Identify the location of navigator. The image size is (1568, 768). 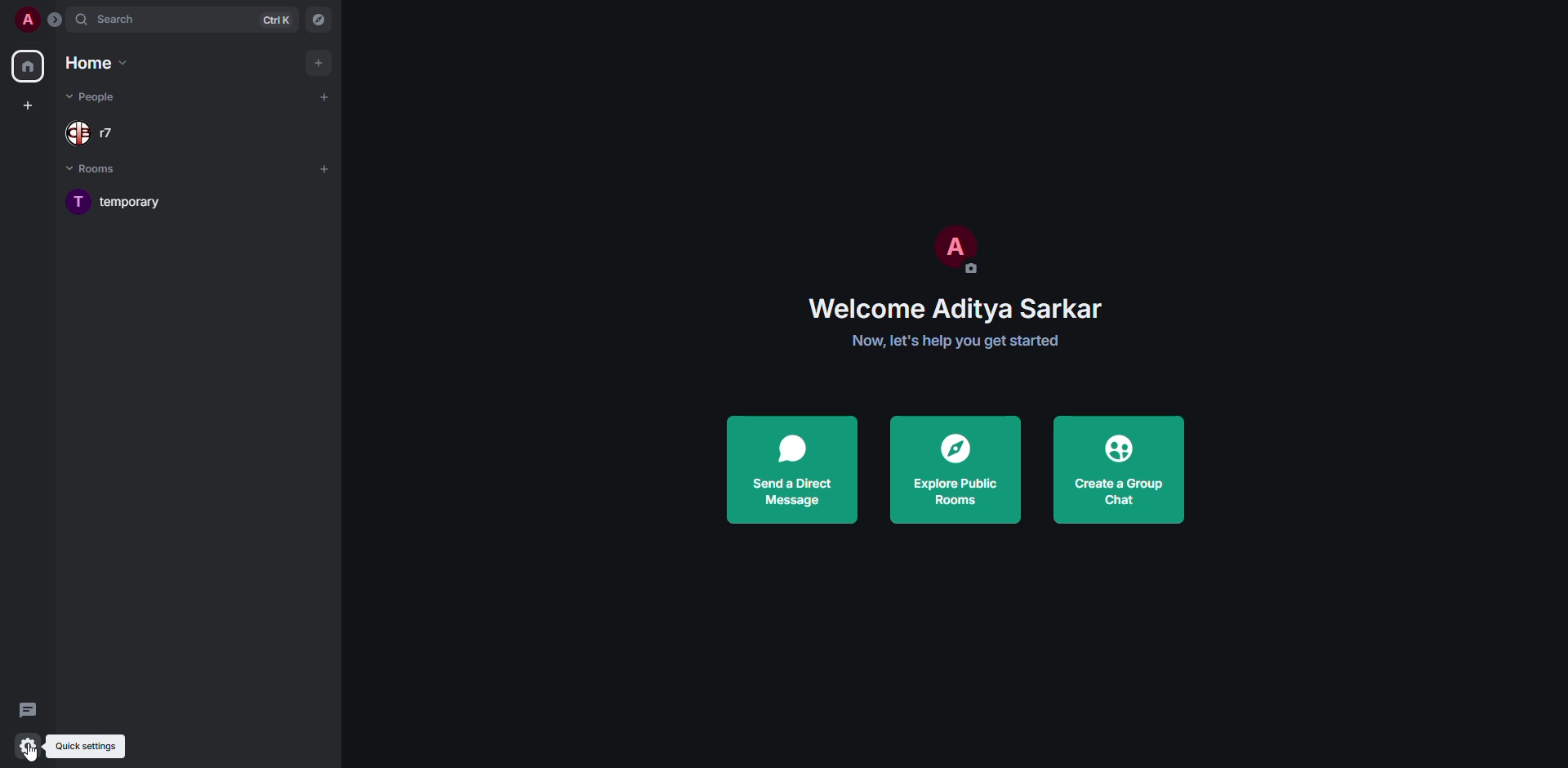
(318, 19).